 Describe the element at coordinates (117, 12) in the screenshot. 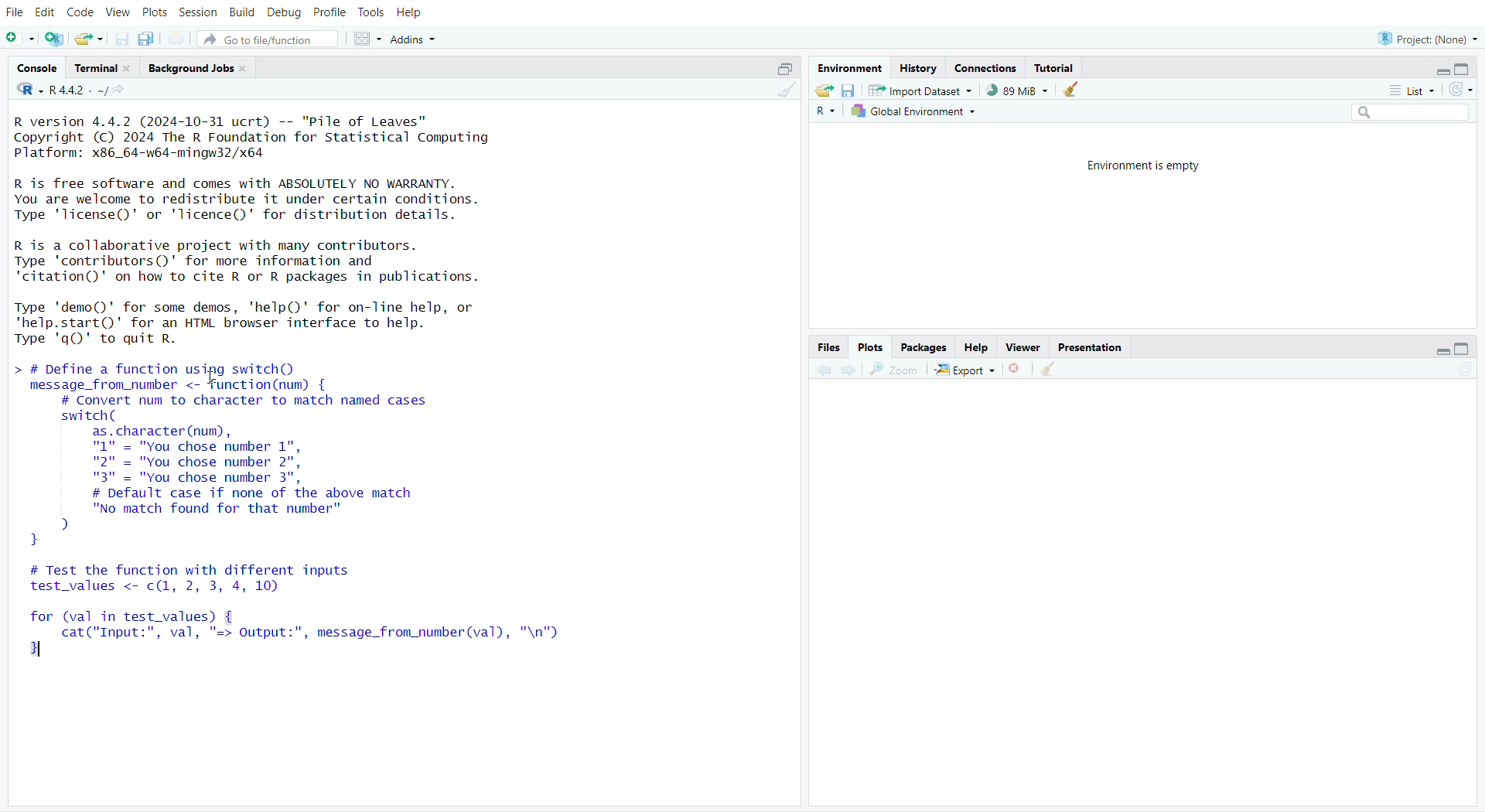

I see `View` at that location.